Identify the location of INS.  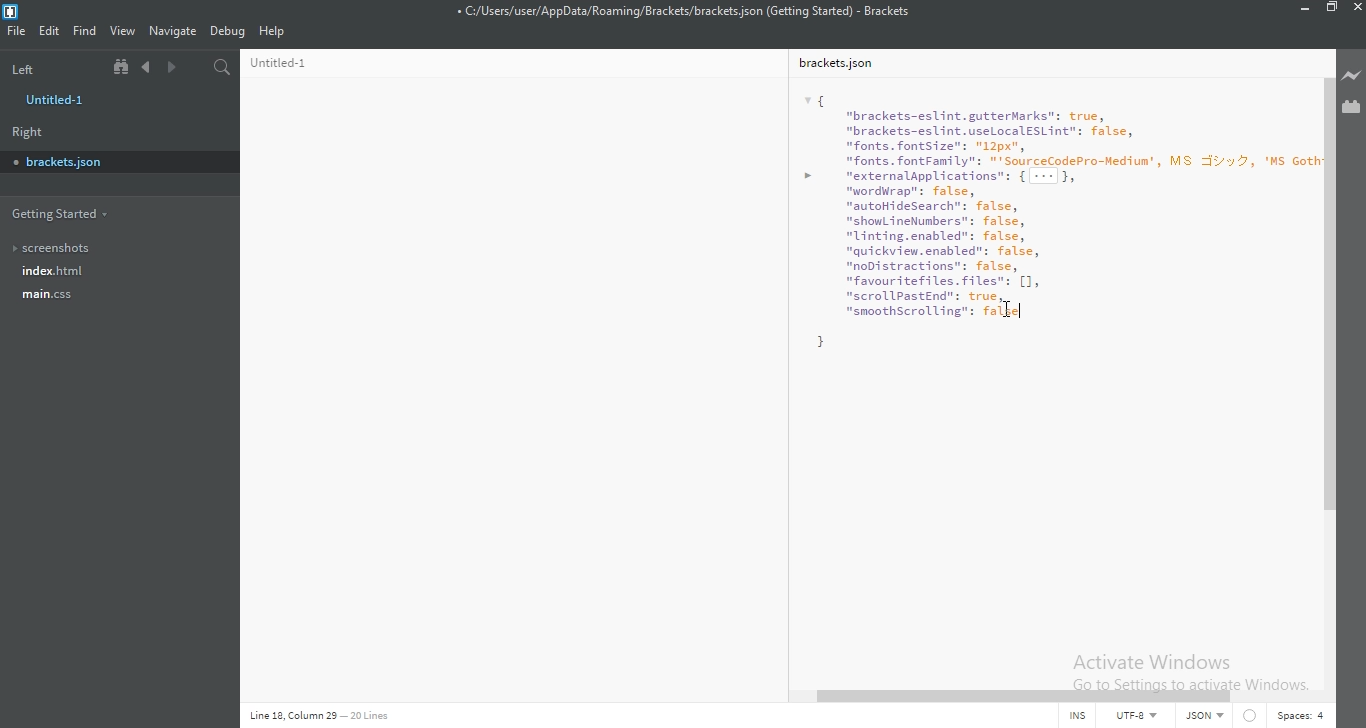
(1073, 717).